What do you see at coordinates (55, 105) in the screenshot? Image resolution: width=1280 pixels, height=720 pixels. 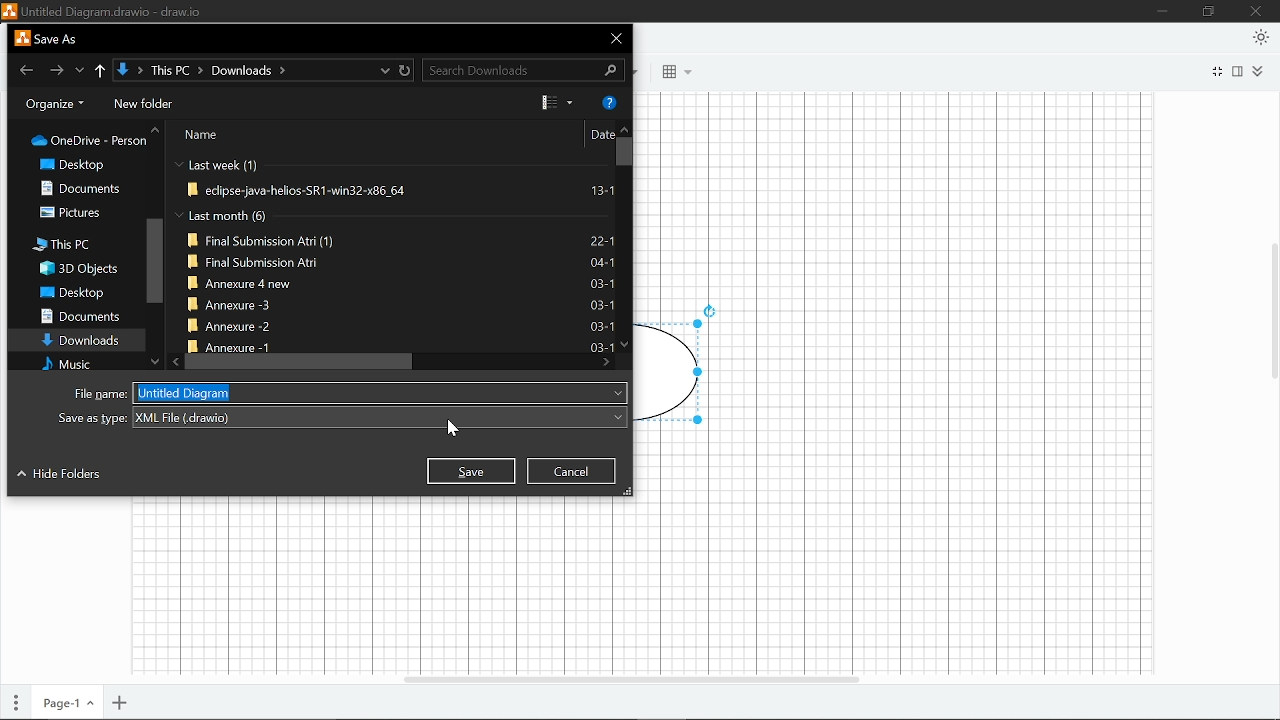 I see `Organize` at bounding box center [55, 105].